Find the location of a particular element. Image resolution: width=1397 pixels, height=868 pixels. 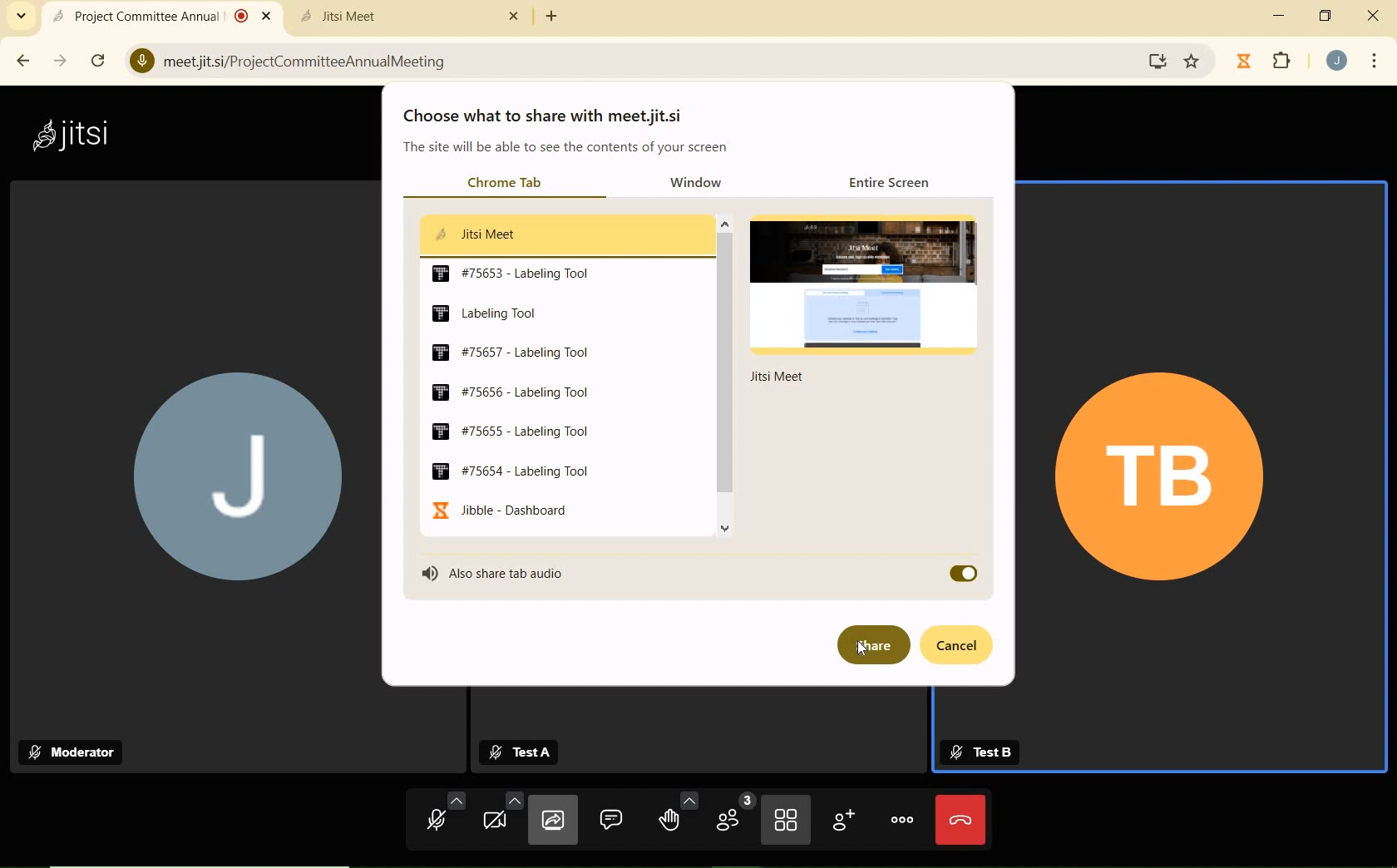

Jibble - Dashboard is located at coordinates (507, 510).